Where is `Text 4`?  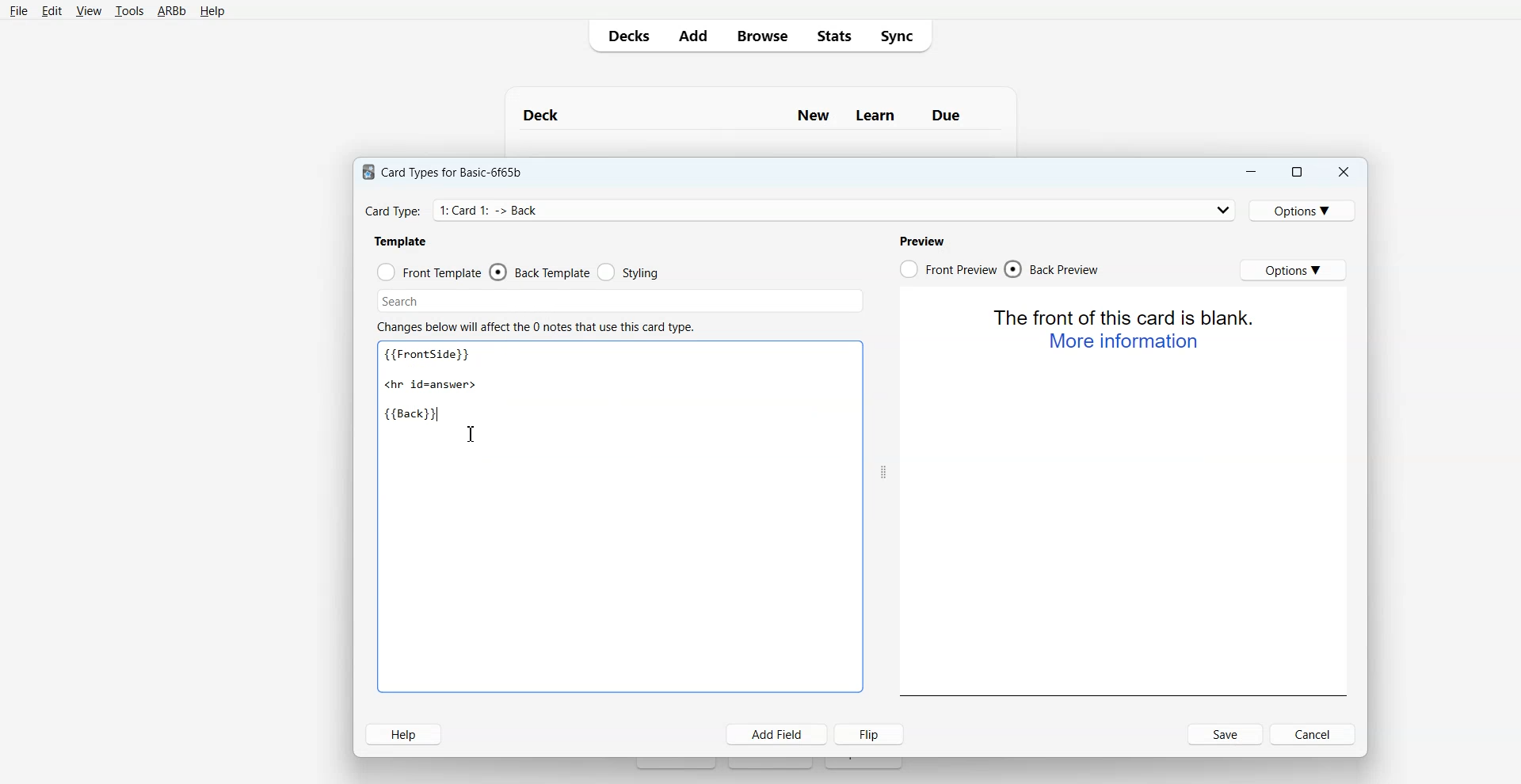 Text 4 is located at coordinates (925, 239).